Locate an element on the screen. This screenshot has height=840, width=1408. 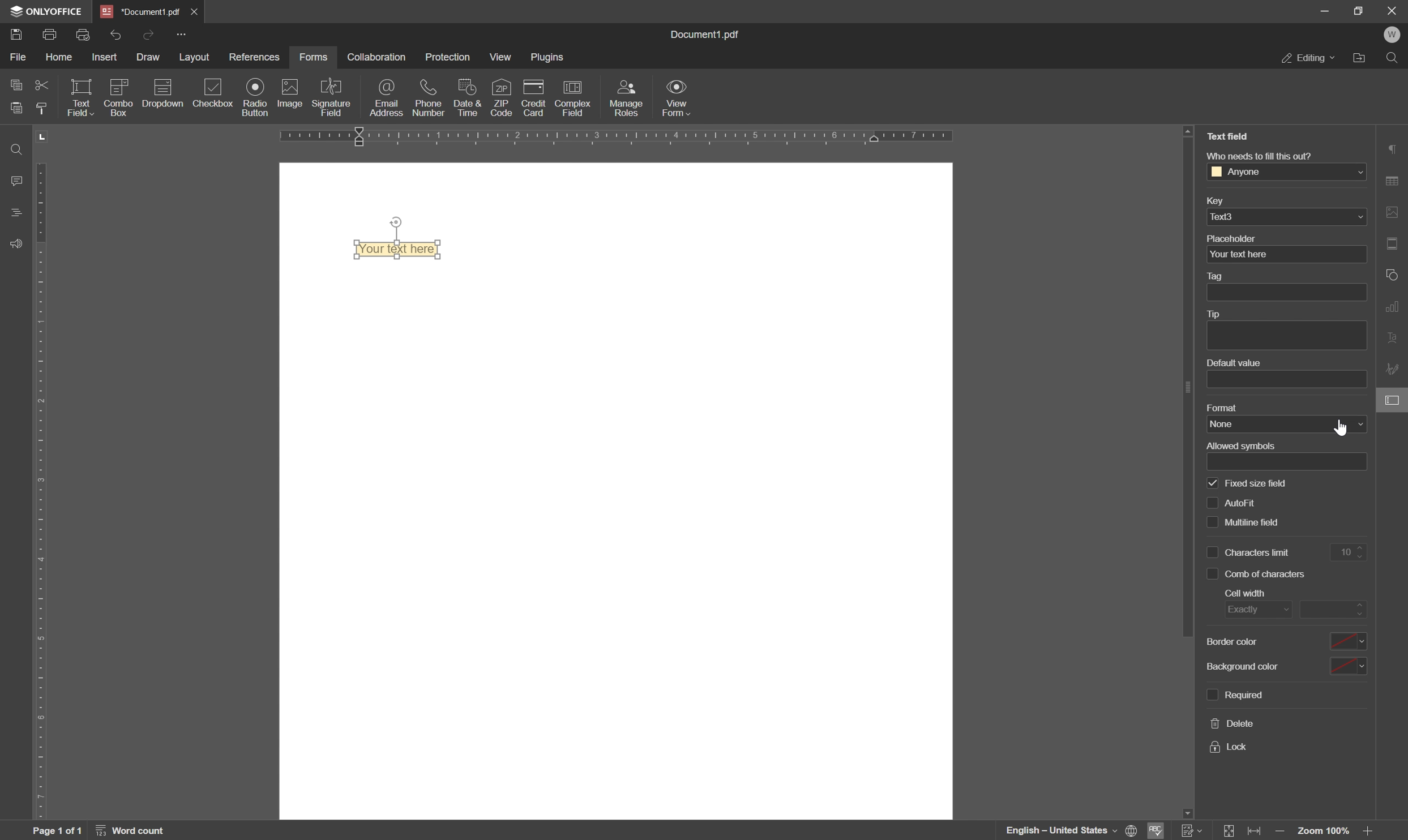
10 is located at coordinates (1266, 575).